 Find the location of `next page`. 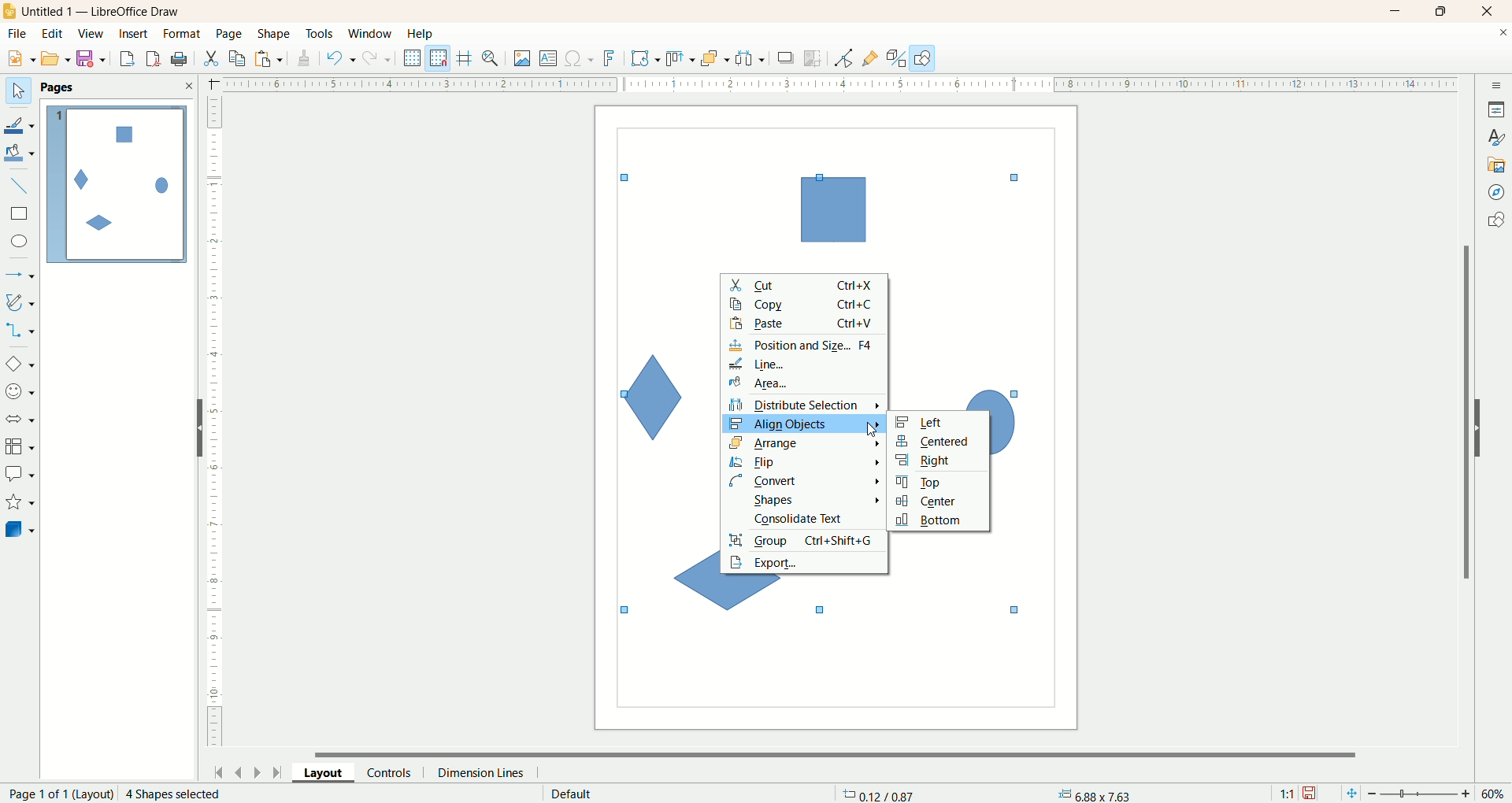

next page is located at coordinates (258, 772).